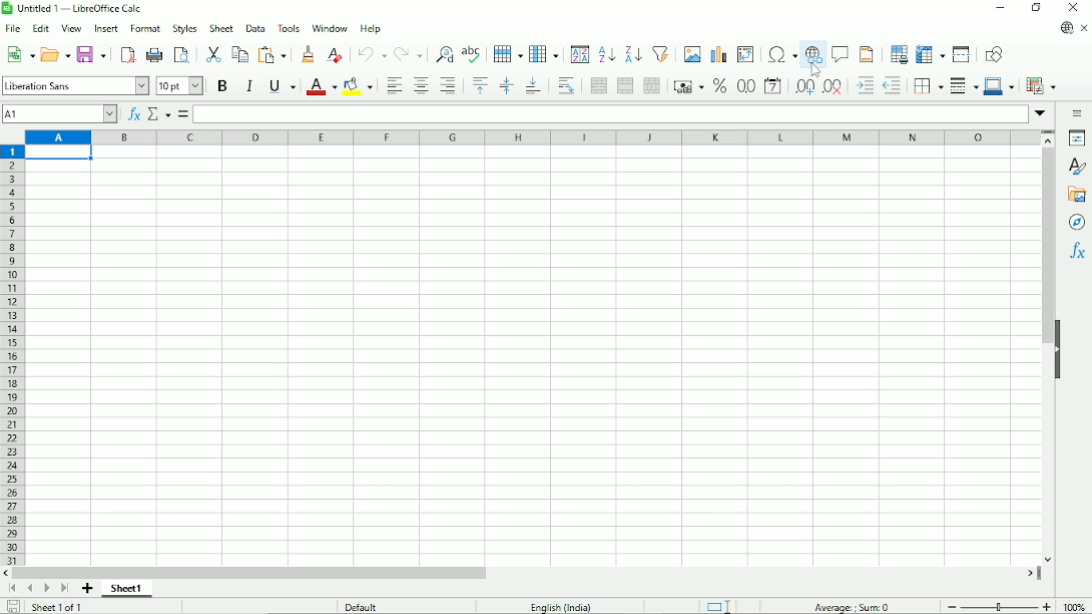 The height and width of the screenshot is (614, 1092). What do you see at coordinates (579, 54) in the screenshot?
I see `Sort` at bounding box center [579, 54].